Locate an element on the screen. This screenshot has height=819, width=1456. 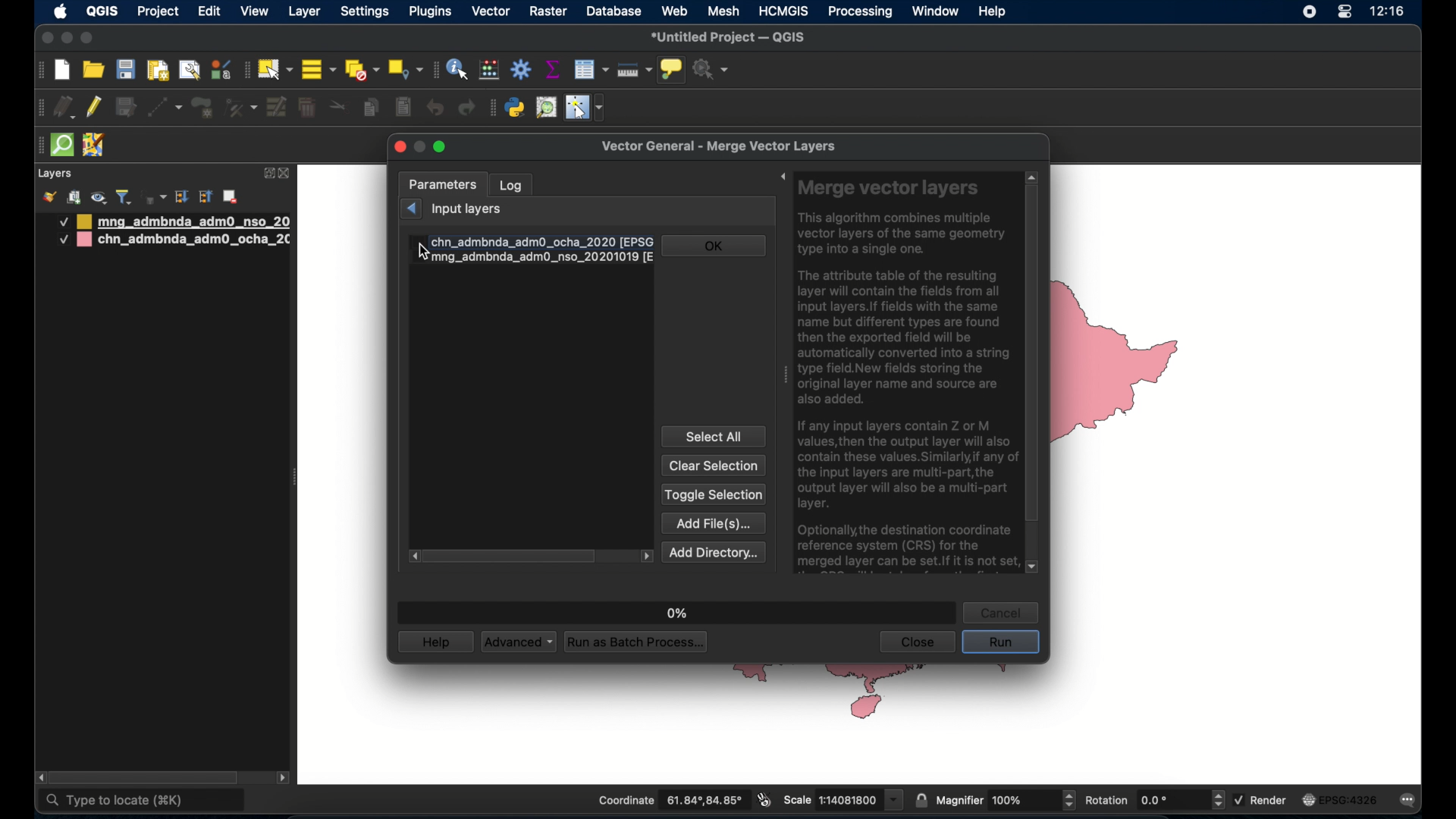
measure line is located at coordinates (634, 71).